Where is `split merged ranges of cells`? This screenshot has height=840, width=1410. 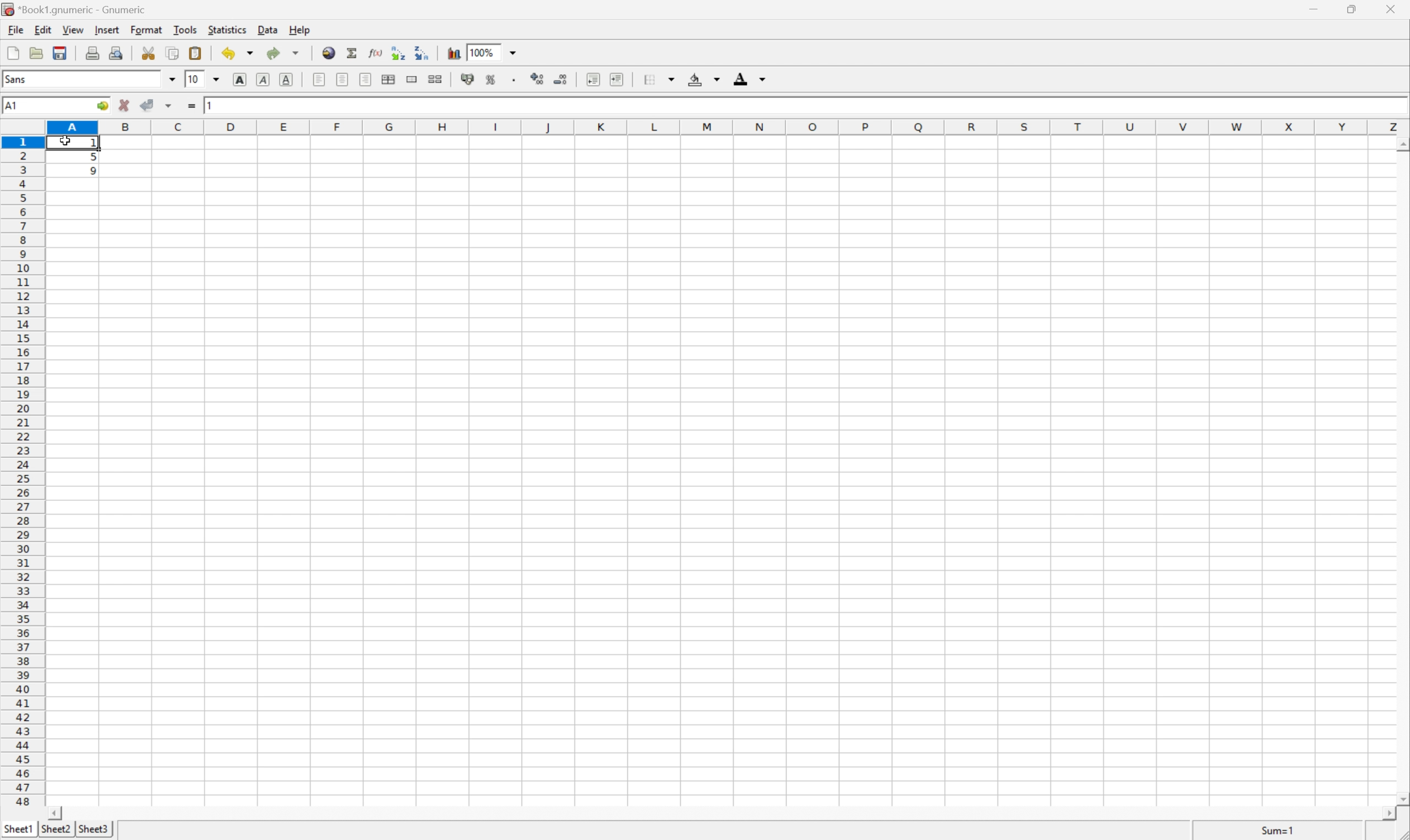
split merged ranges of cells is located at coordinates (437, 78).